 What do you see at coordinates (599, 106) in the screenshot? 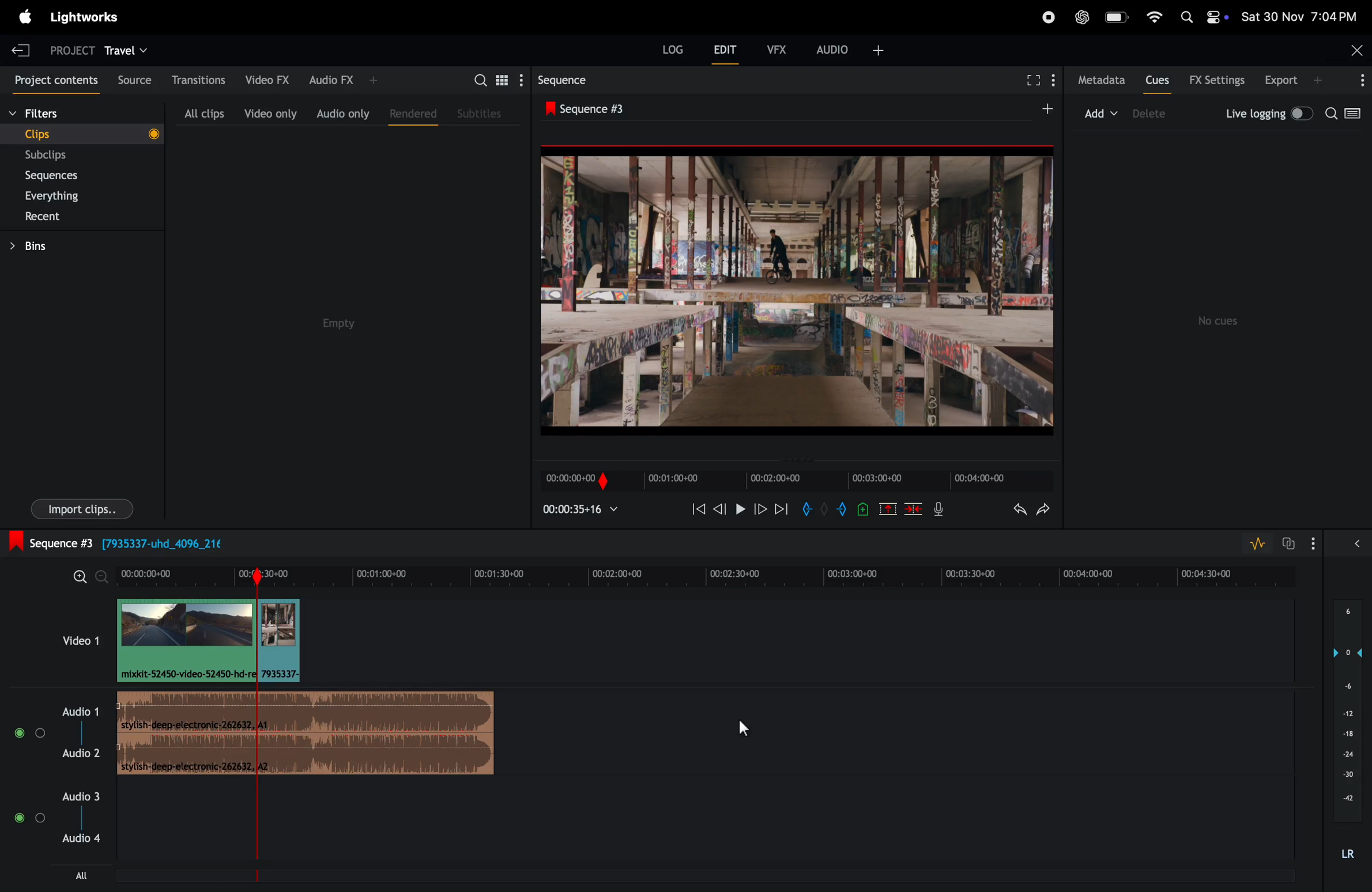
I see `sequence #3` at bounding box center [599, 106].